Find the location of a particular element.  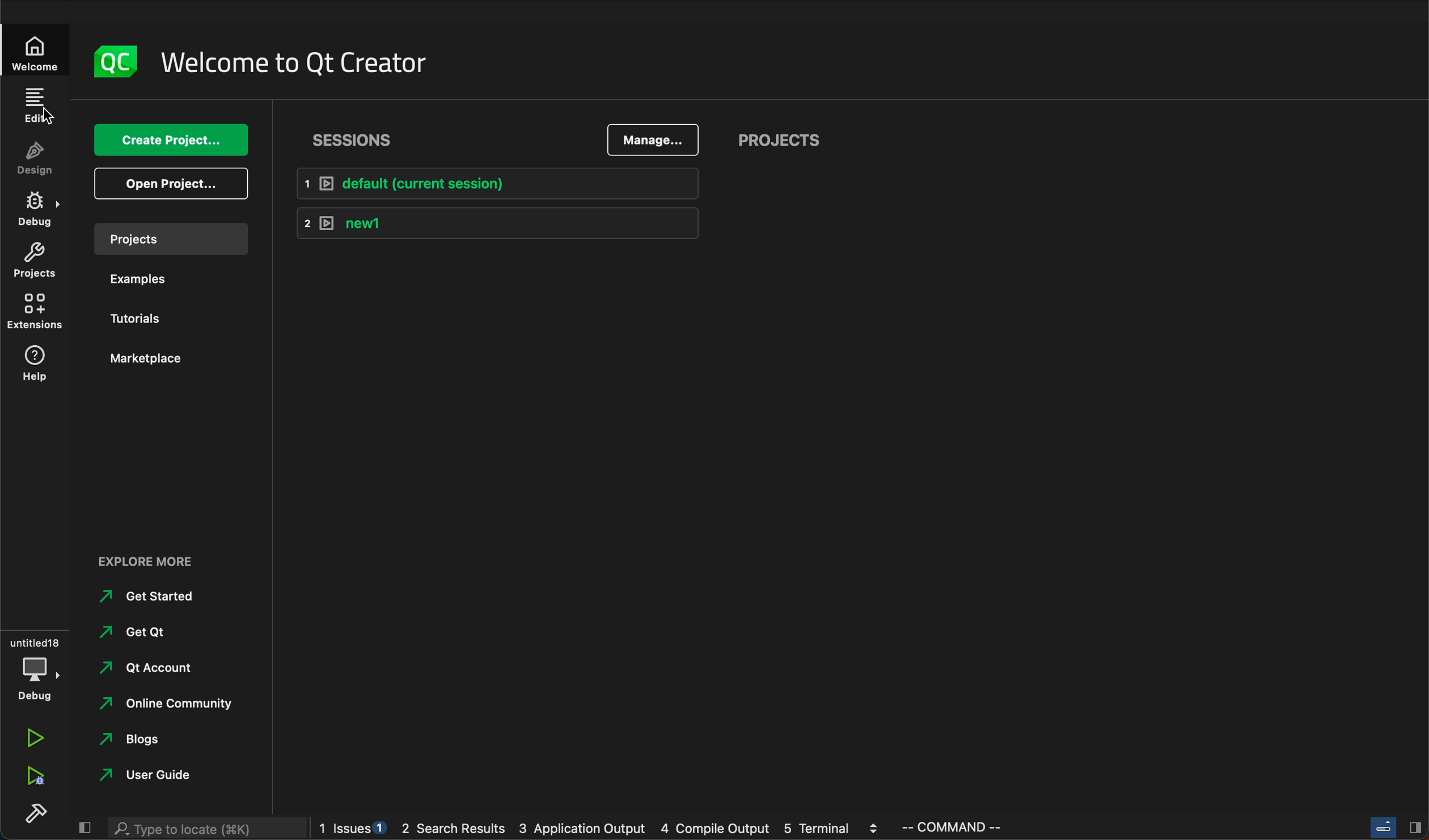

create is located at coordinates (172, 141).